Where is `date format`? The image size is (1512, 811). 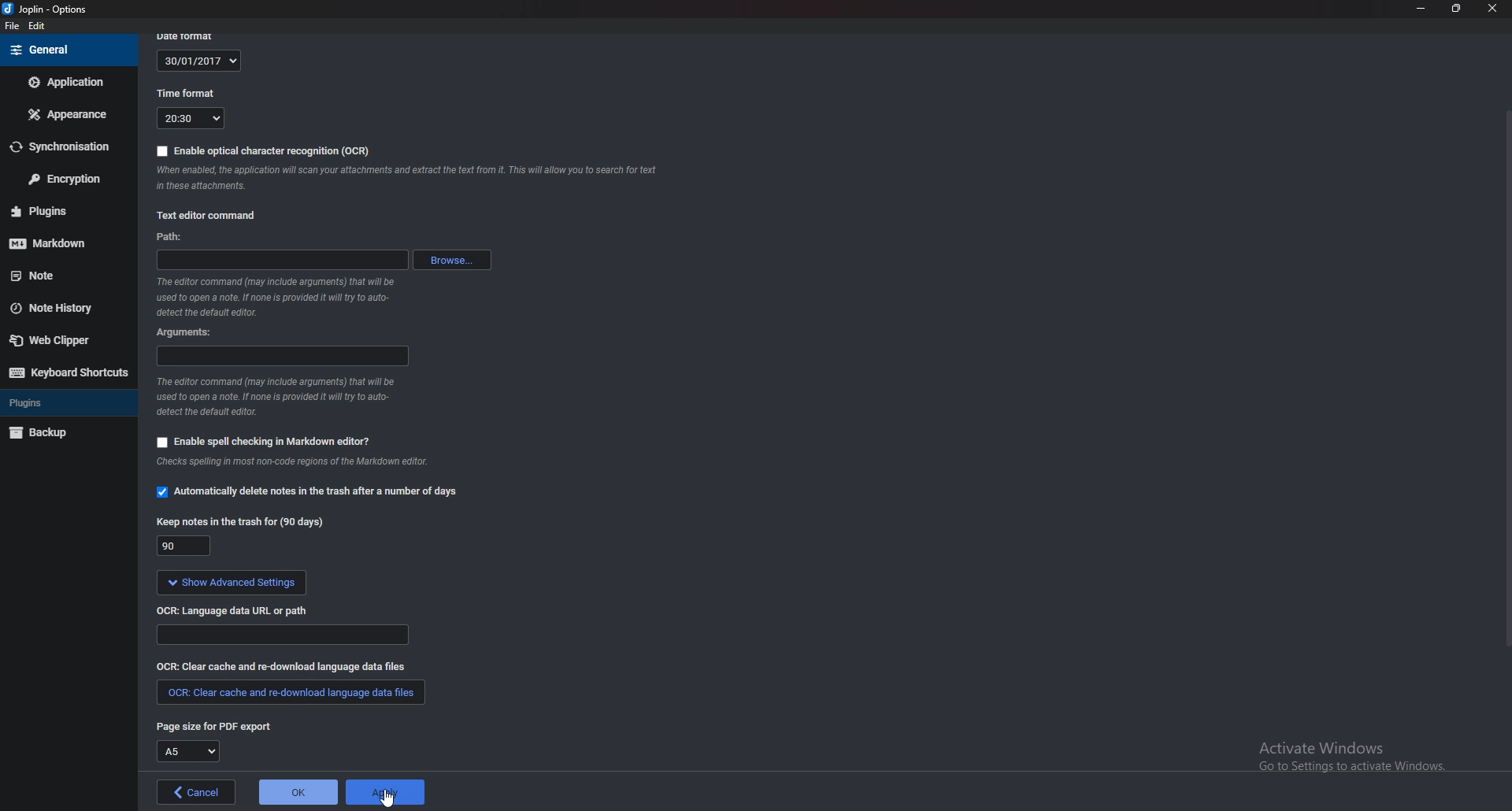
date format is located at coordinates (204, 38).